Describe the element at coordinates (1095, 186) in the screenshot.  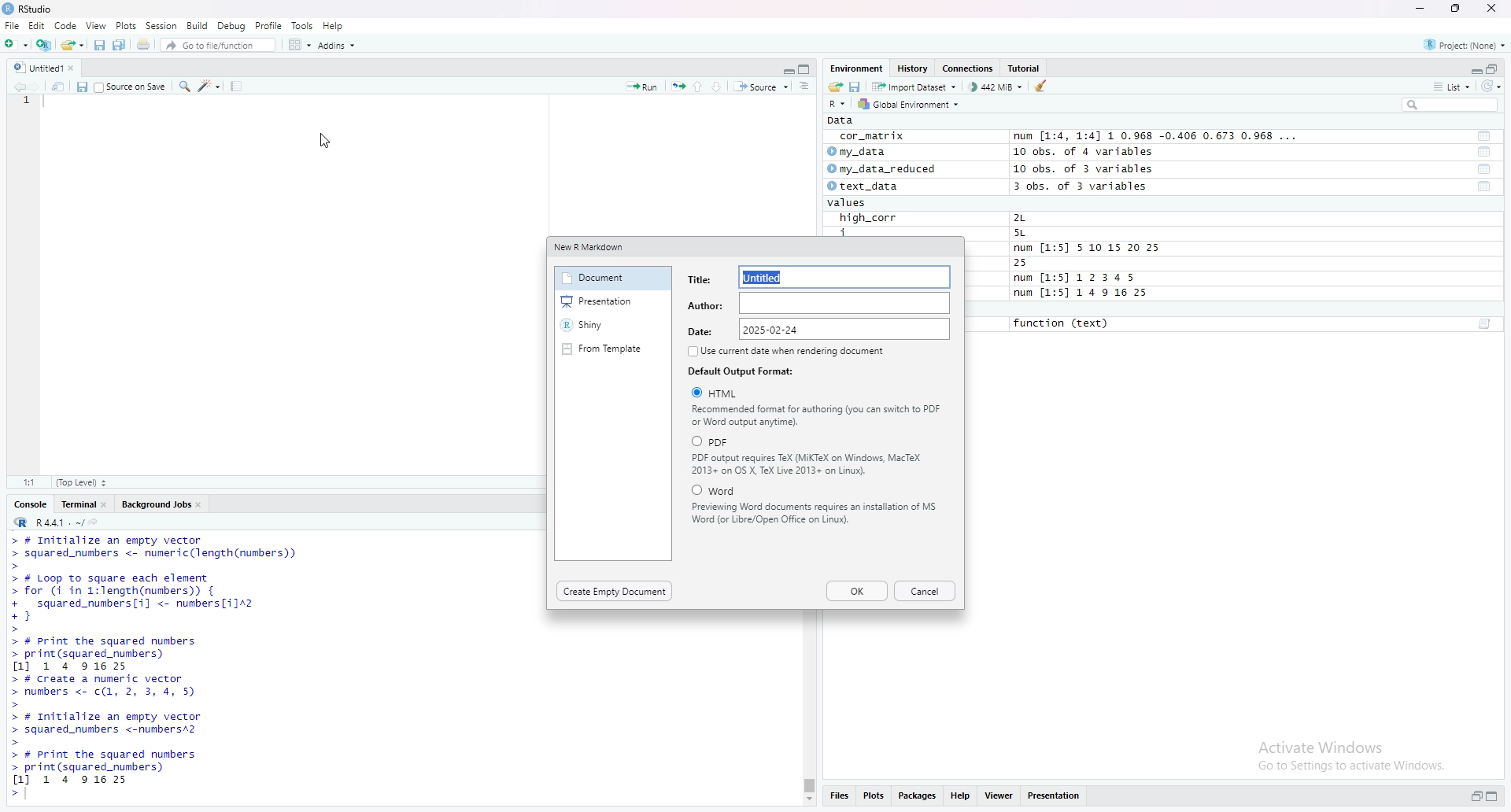
I see `3 obs. of 3 variables` at that location.